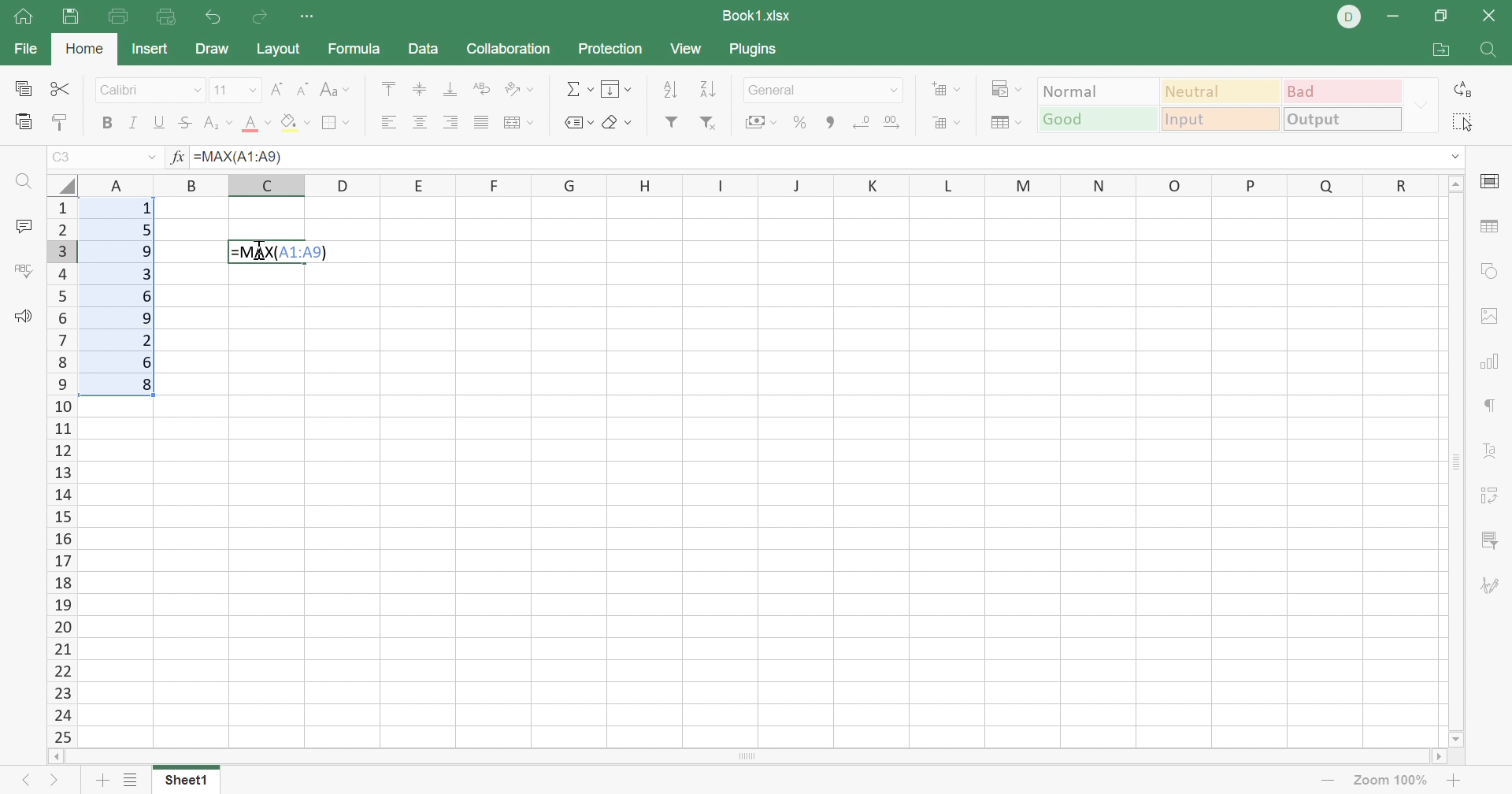 The width and height of the screenshot is (1512, 794). What do you see at coordinates (1450, 461) in the screenshot?
I see `Scroll Bar` at bounding box center [1450, 461].